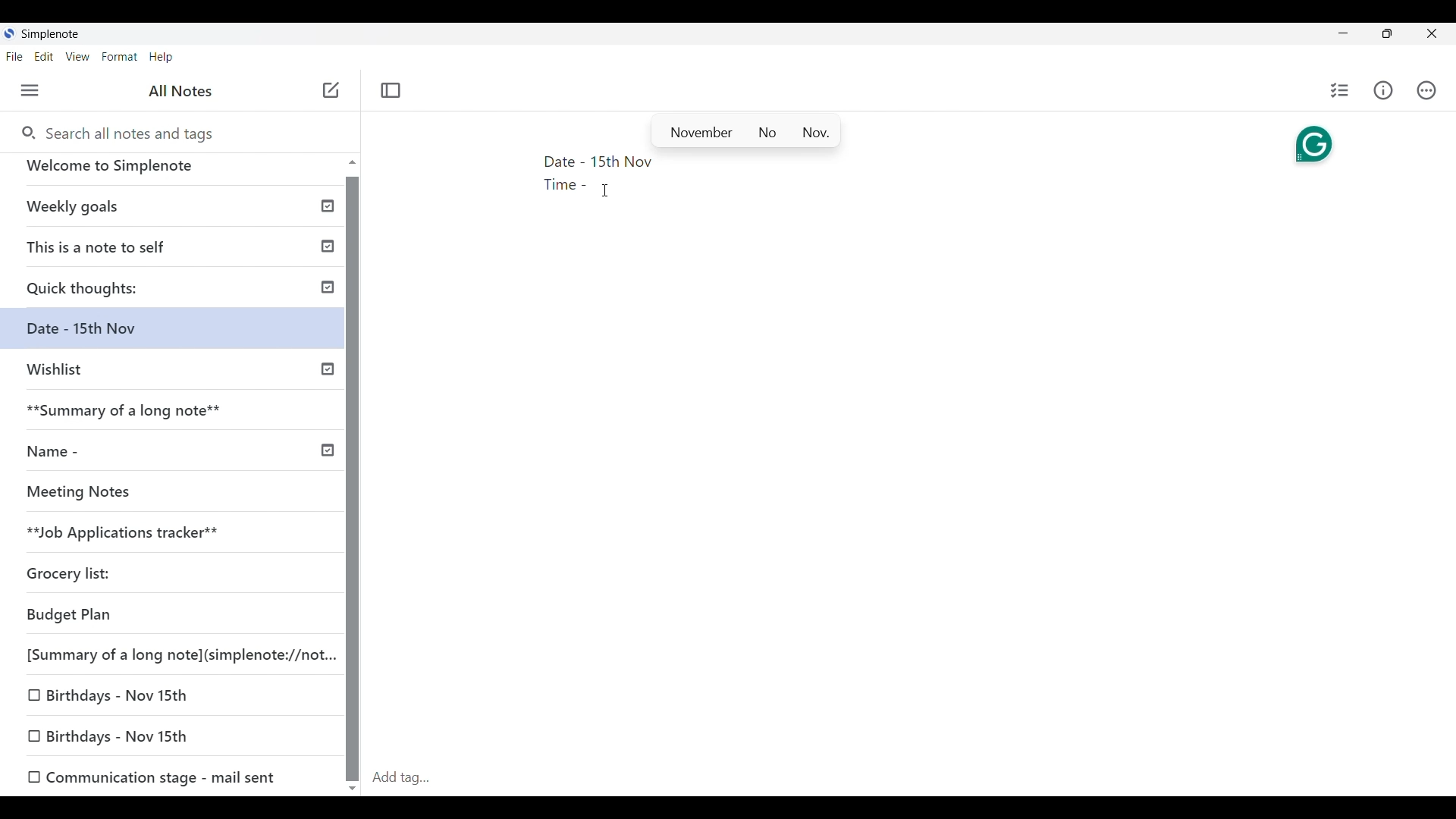  I want to click on Show interface in a smaller tab, so click(1387, 33).